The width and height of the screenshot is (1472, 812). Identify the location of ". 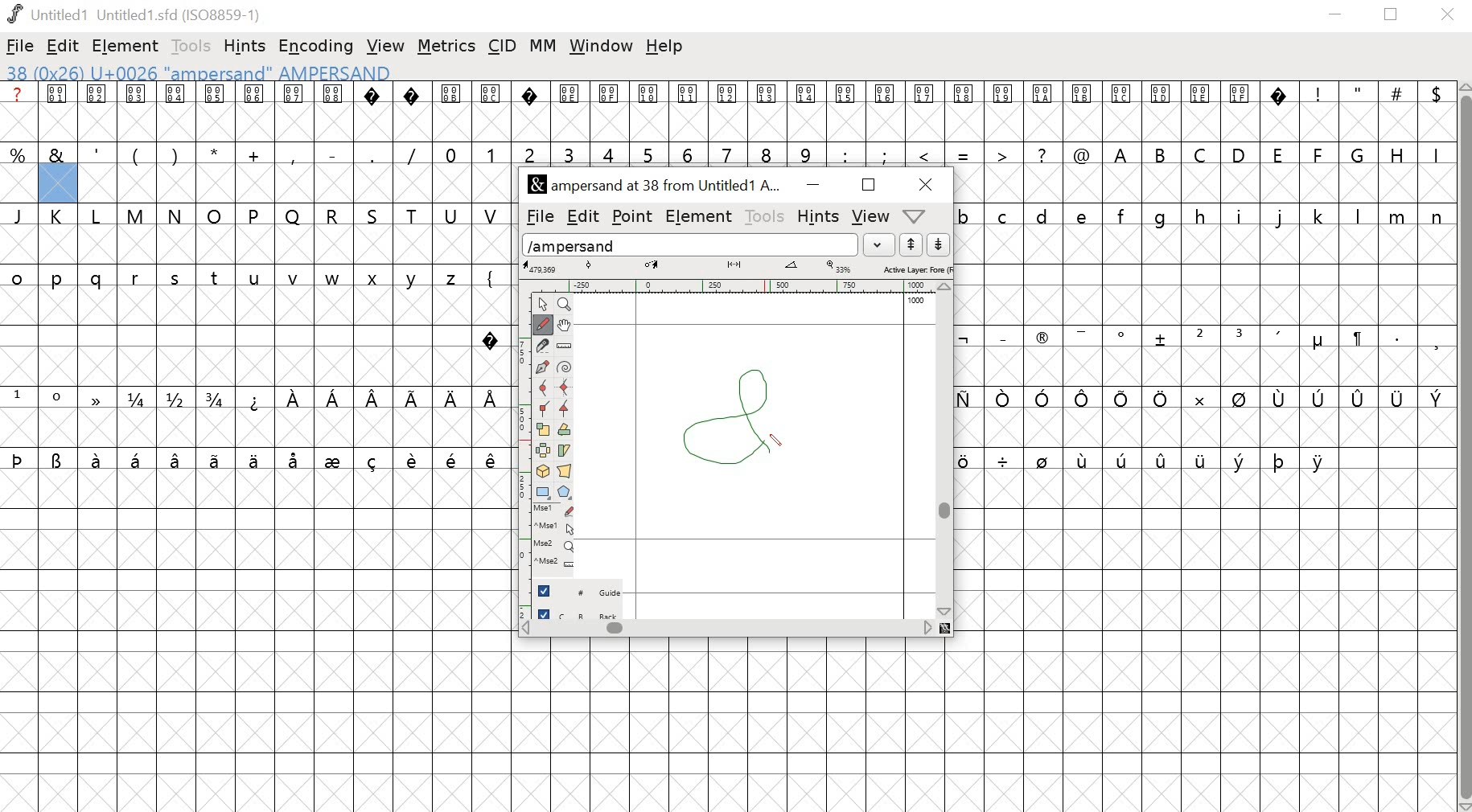
(1359, 113).